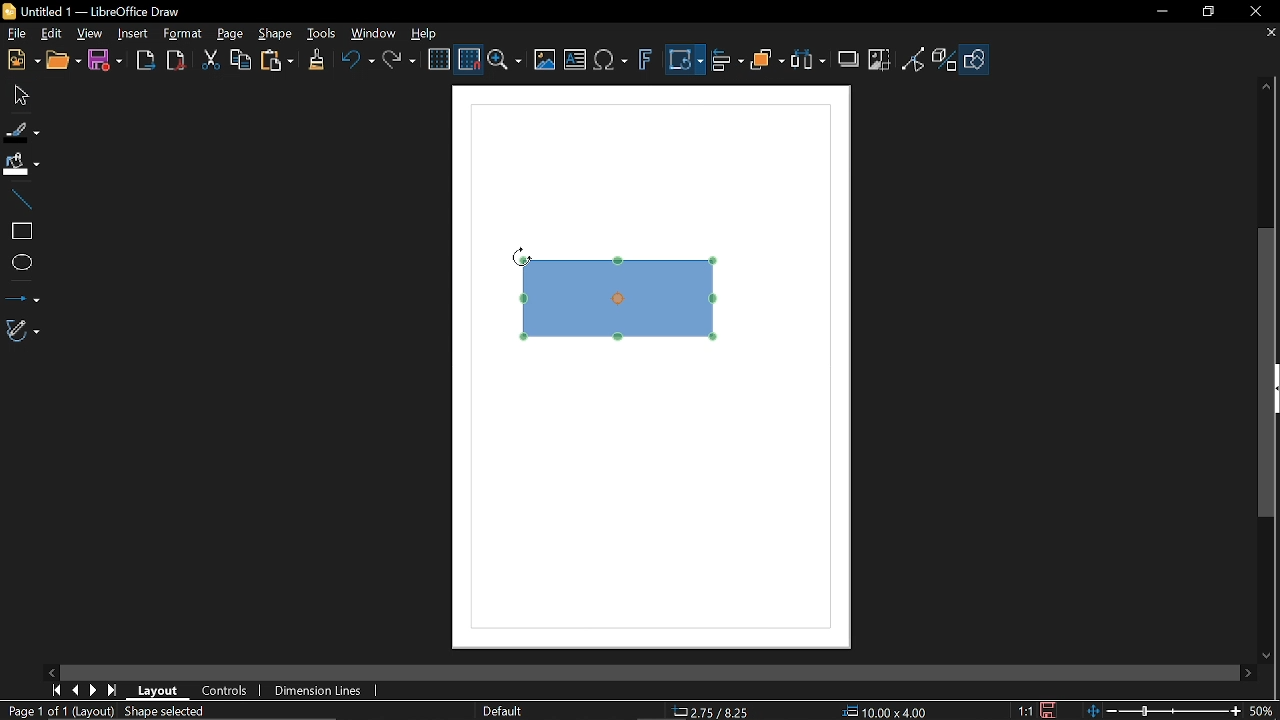  What do you see at coordinates (239, 63) in the screenshot?
I see `Copy` at bounding box center [239, 63].